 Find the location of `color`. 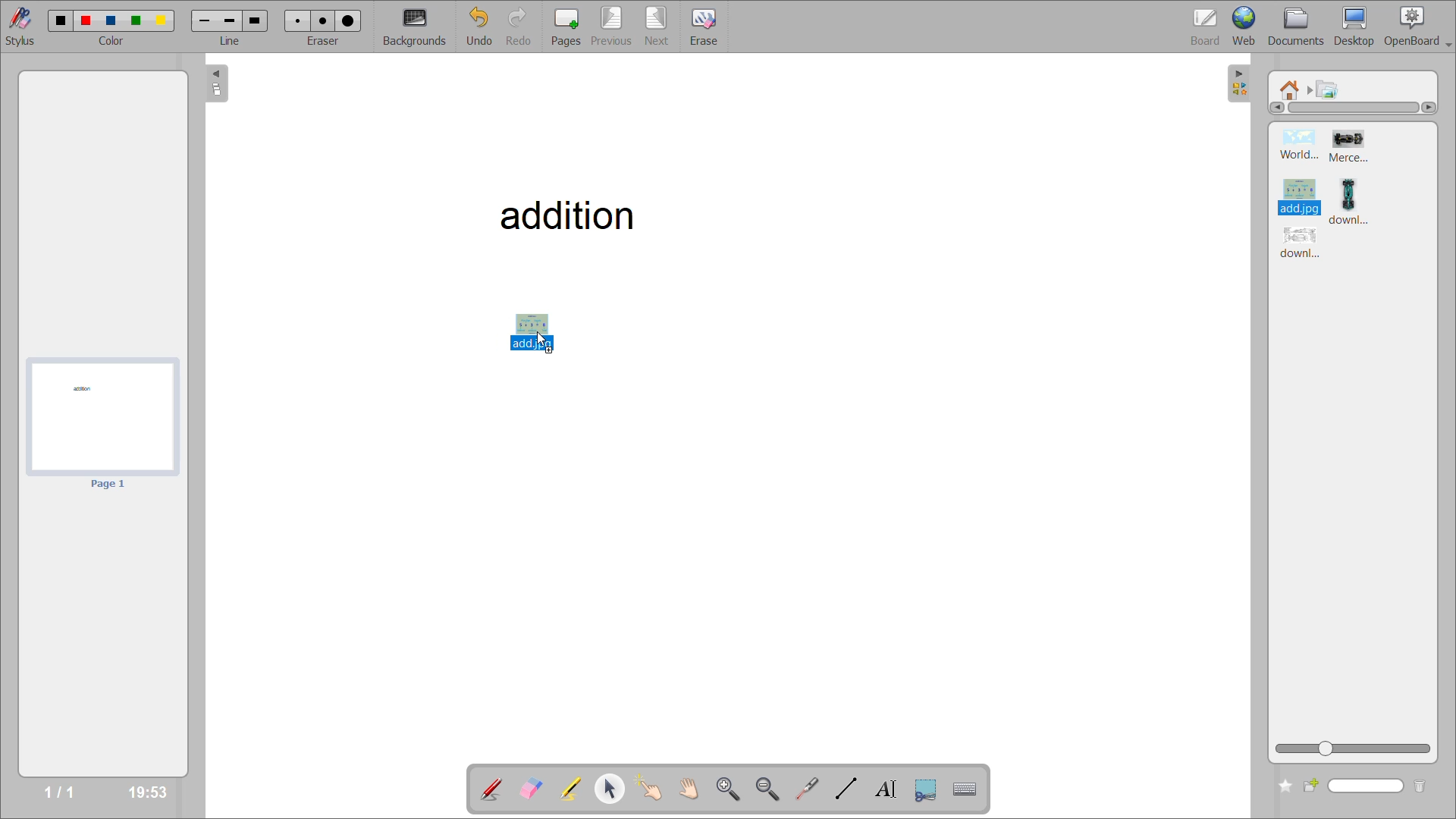

color is located at coordinates (112, 42).